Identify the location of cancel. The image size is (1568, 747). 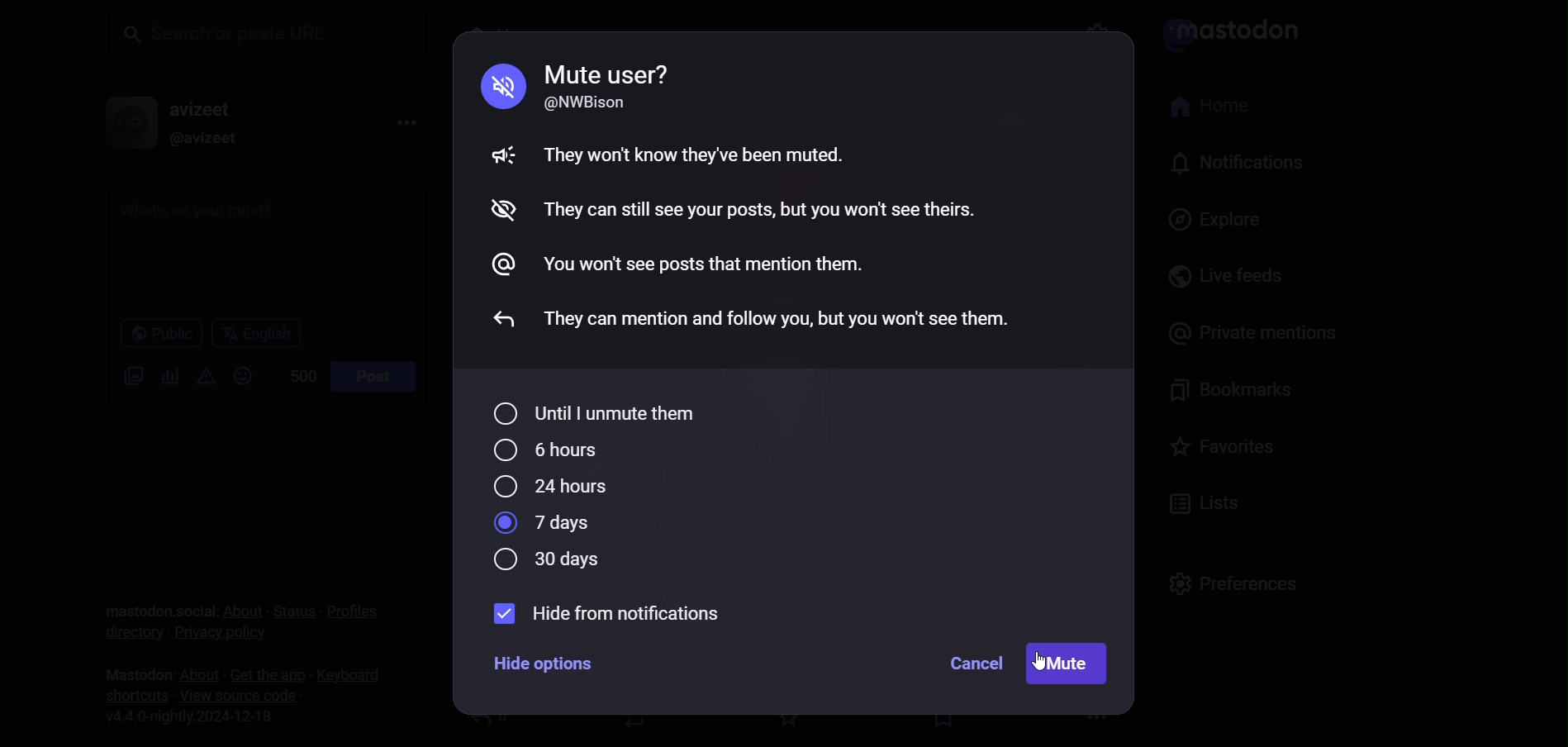
(975, 668).